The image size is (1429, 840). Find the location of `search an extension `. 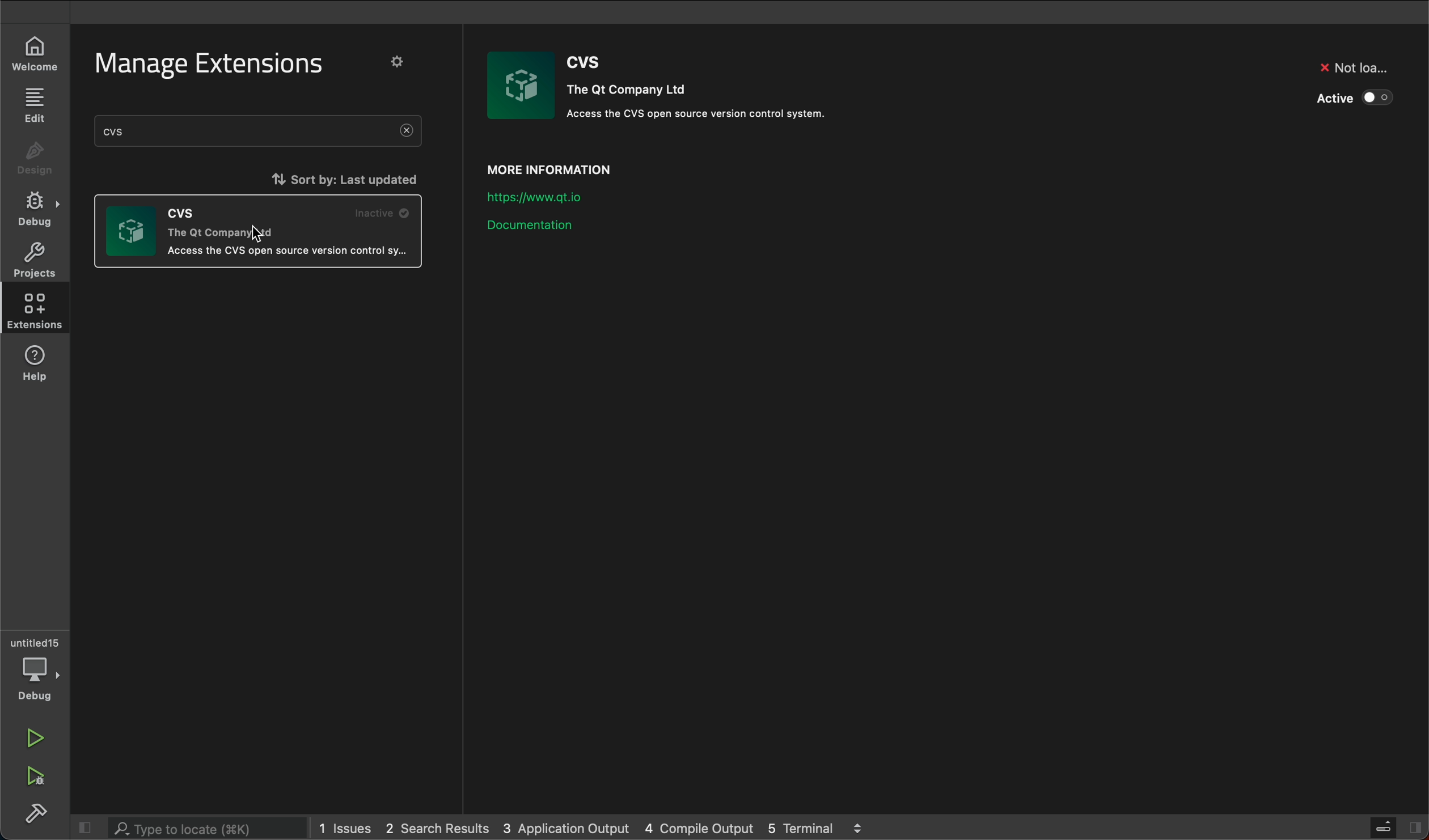

search an extension  is located at coordinates (205, 130).